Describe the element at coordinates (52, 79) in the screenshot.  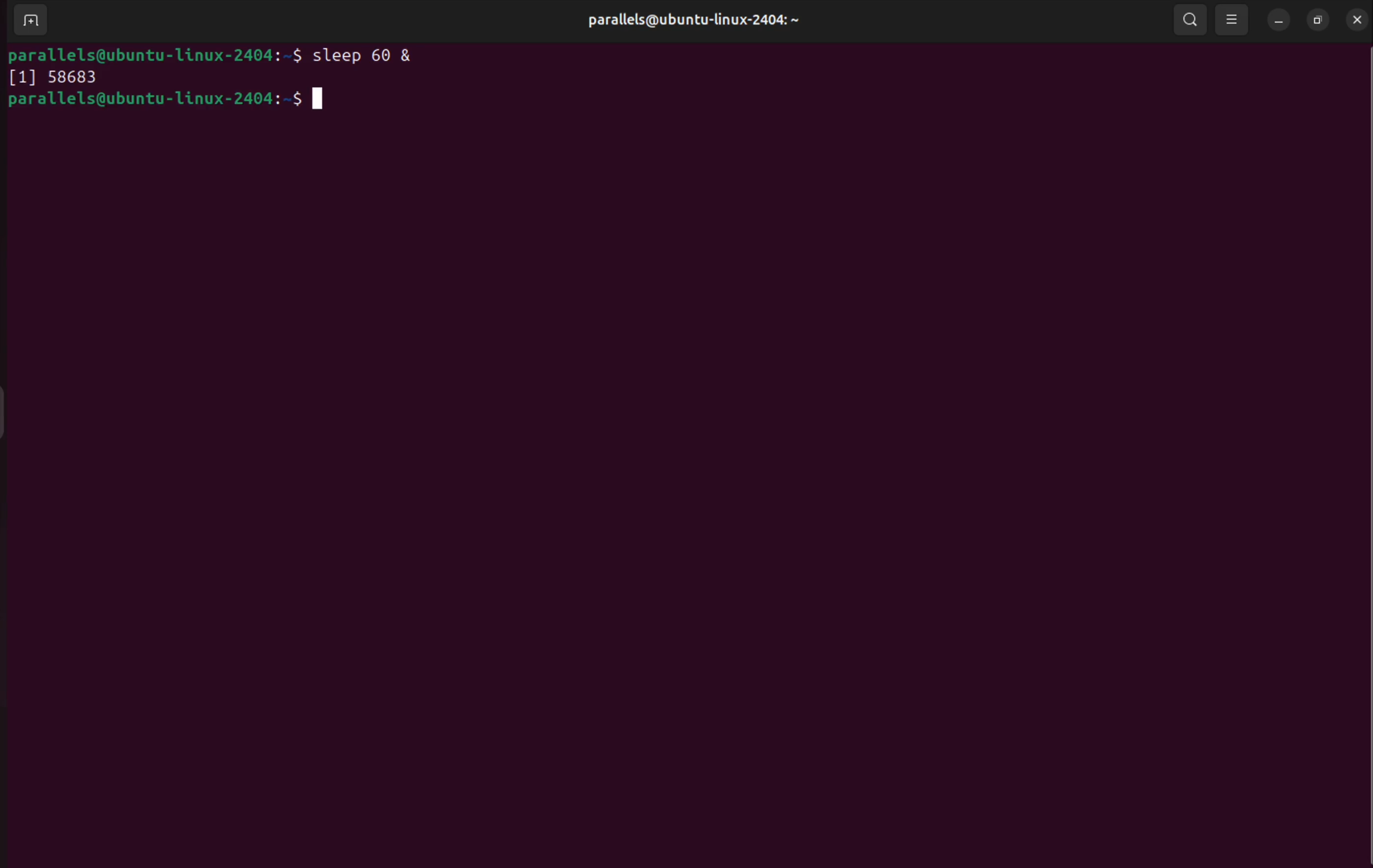
I see `[1] 5863` at that location.